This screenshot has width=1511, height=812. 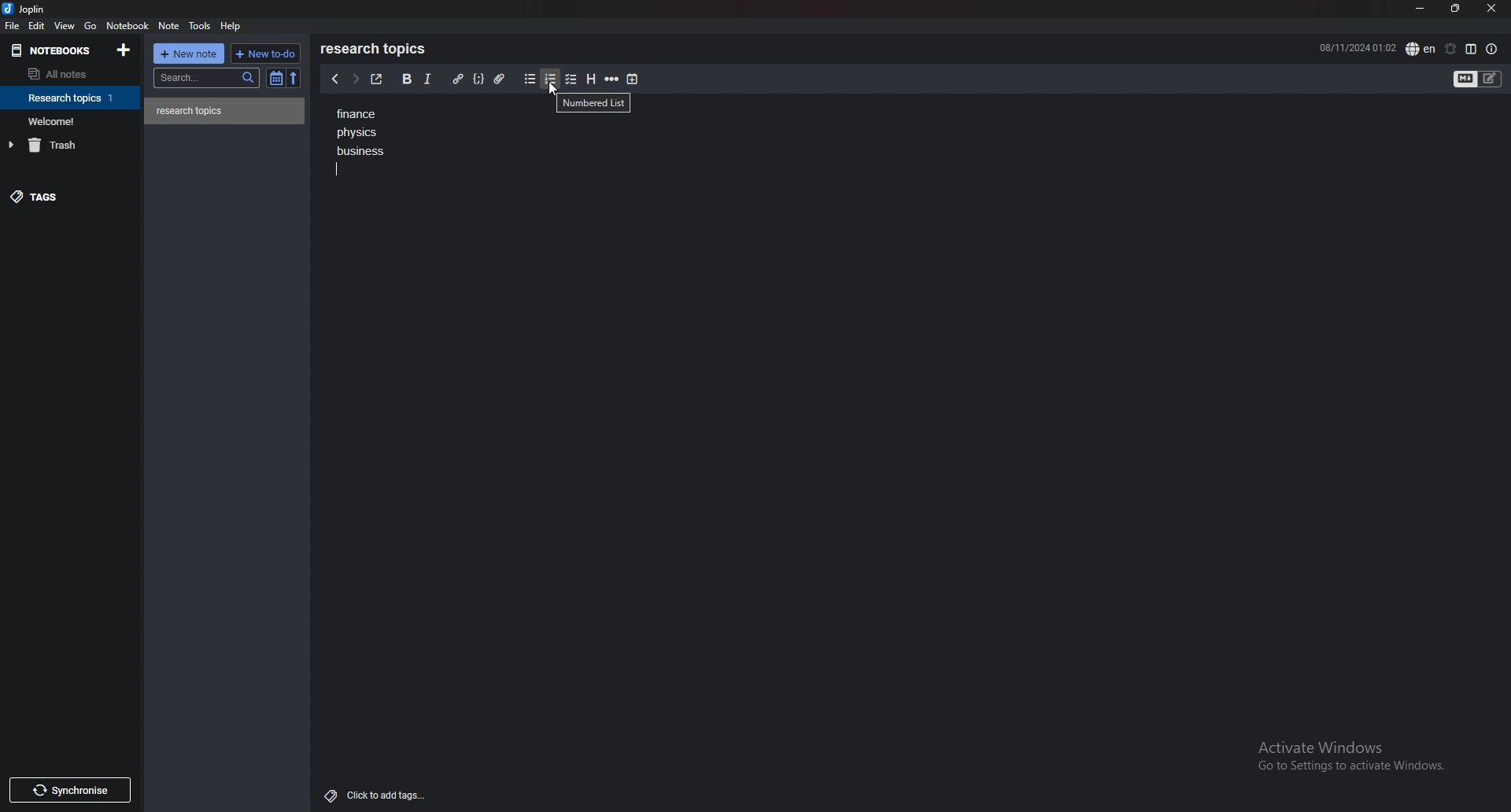 I want to click on add notebook, so click(x=123, y=50).